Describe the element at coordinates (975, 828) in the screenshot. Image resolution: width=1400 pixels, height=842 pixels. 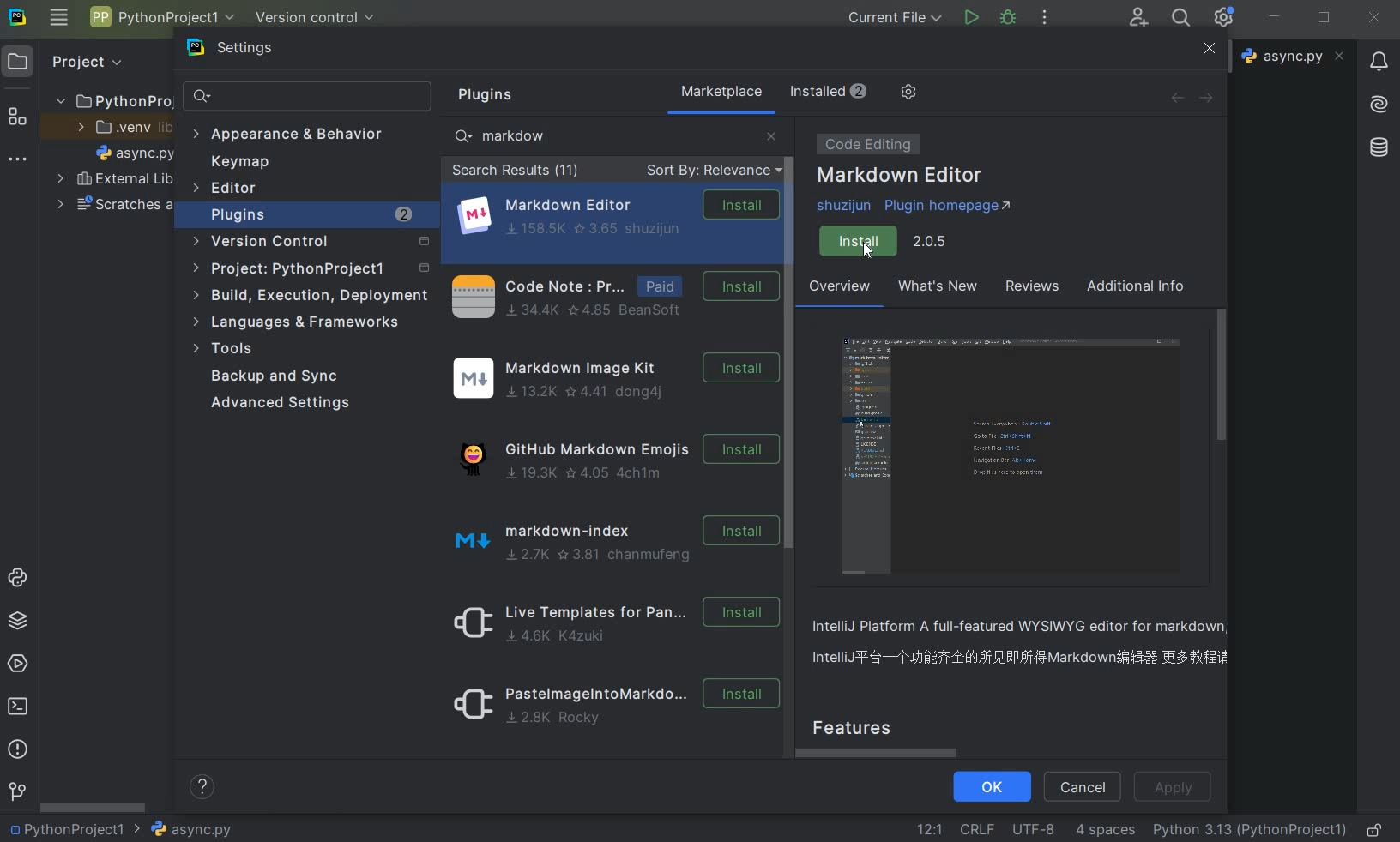
I see `line separtor` at that location.